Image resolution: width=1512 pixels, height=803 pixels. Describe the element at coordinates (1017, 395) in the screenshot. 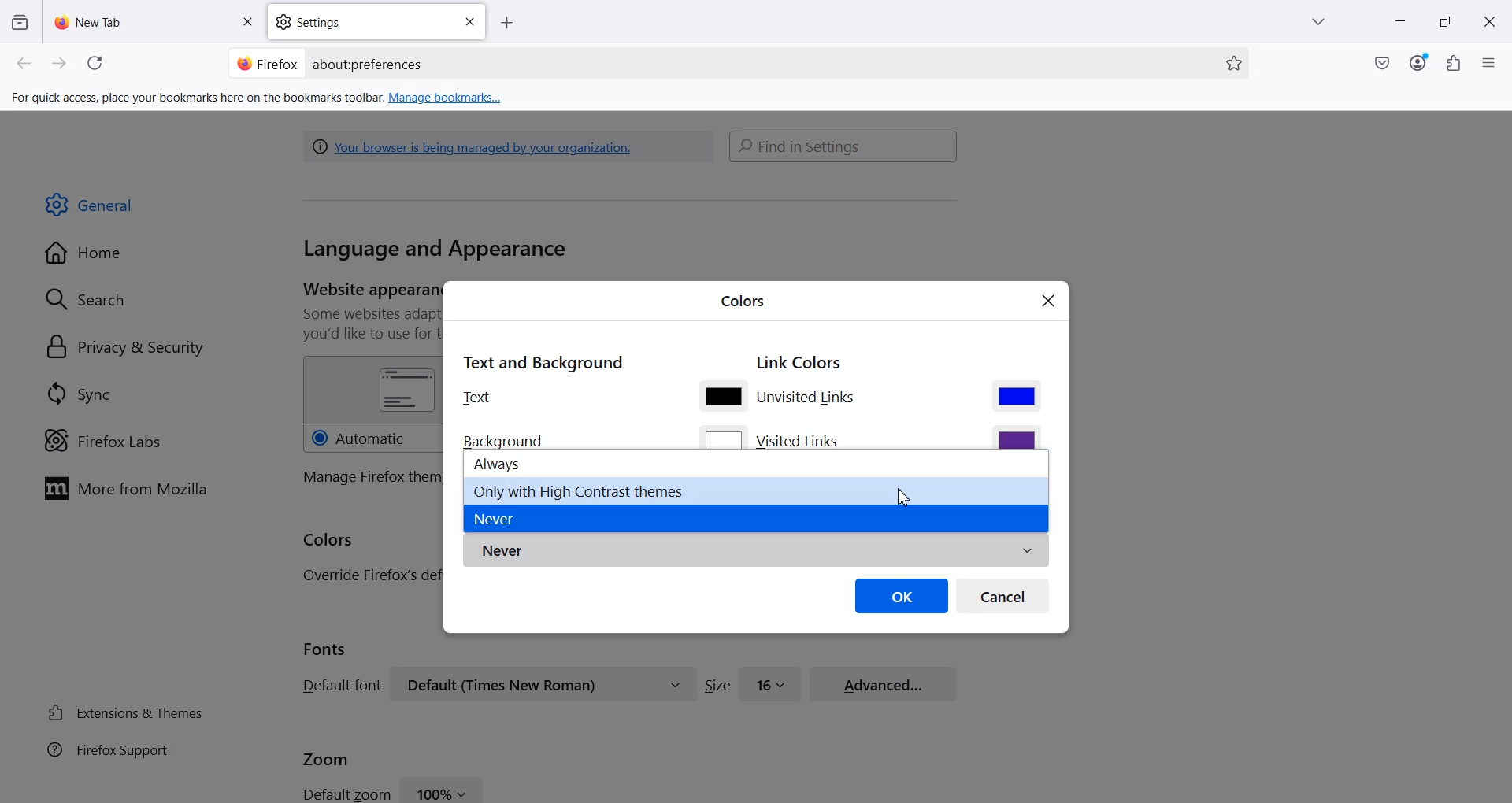

I see `Choose Color` at that location.